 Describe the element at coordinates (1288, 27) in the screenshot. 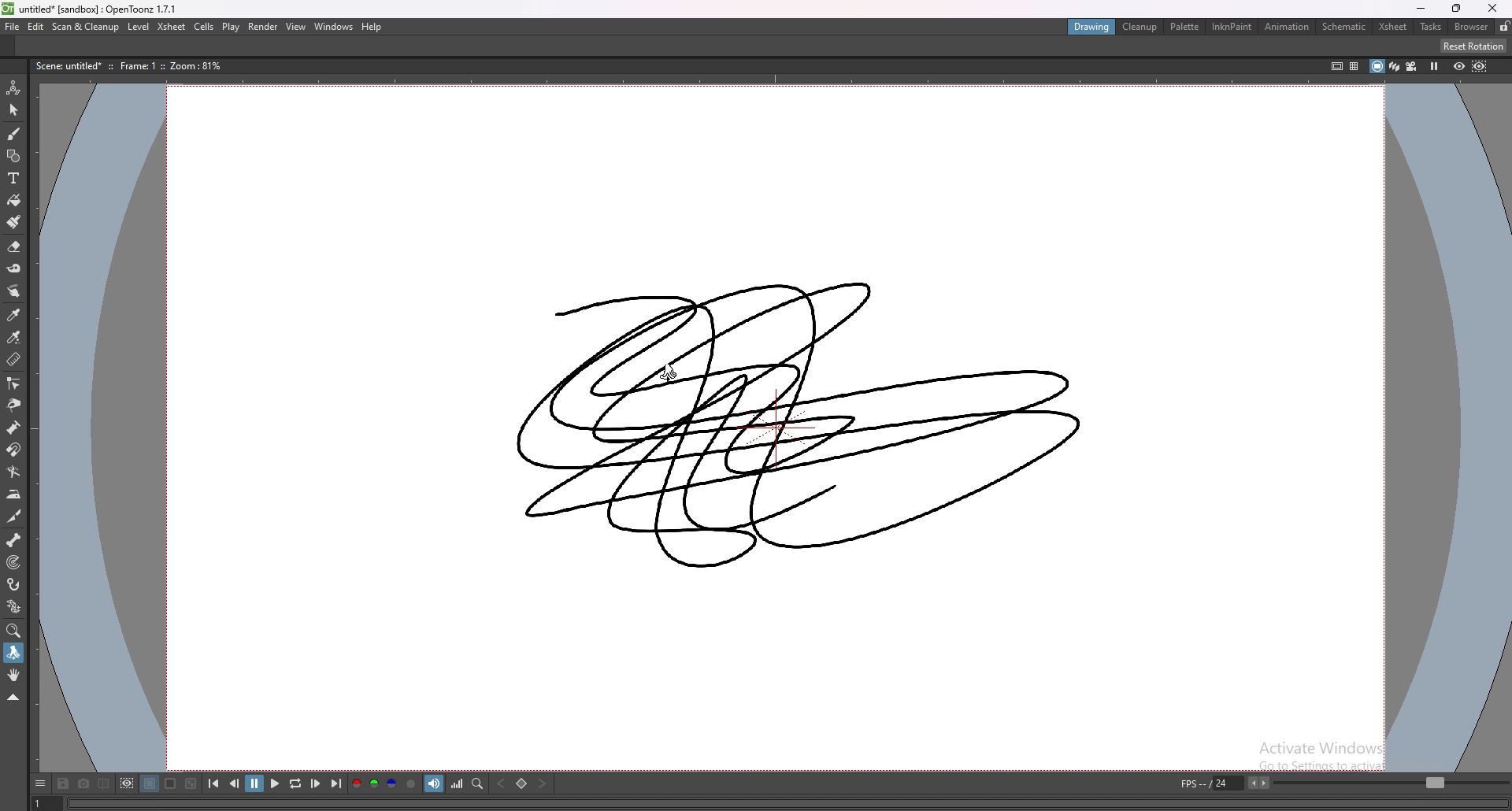

I see `animation` at that location.